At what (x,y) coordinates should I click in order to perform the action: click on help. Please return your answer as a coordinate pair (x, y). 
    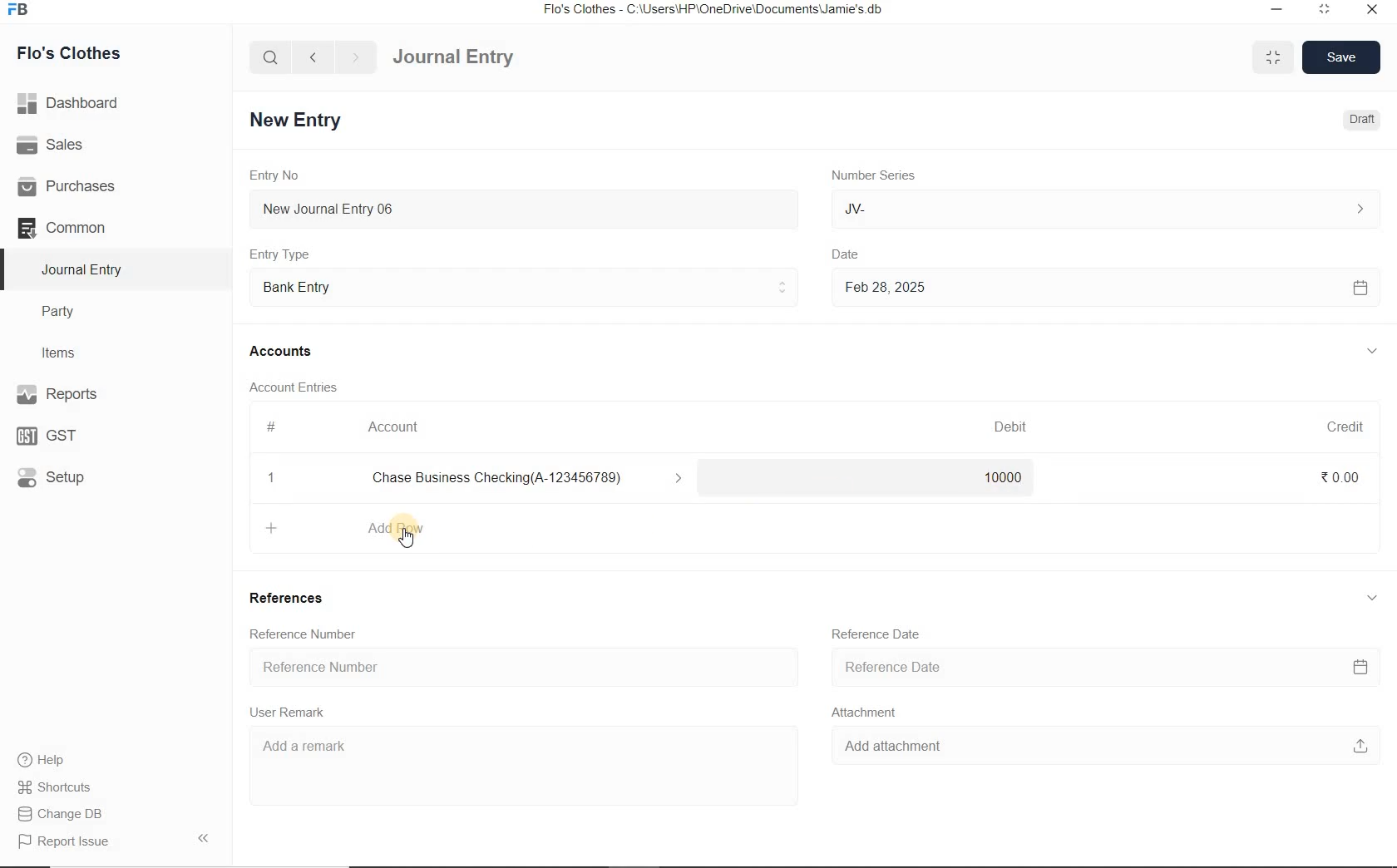
    Looking at the image, I should click on (42, 760).